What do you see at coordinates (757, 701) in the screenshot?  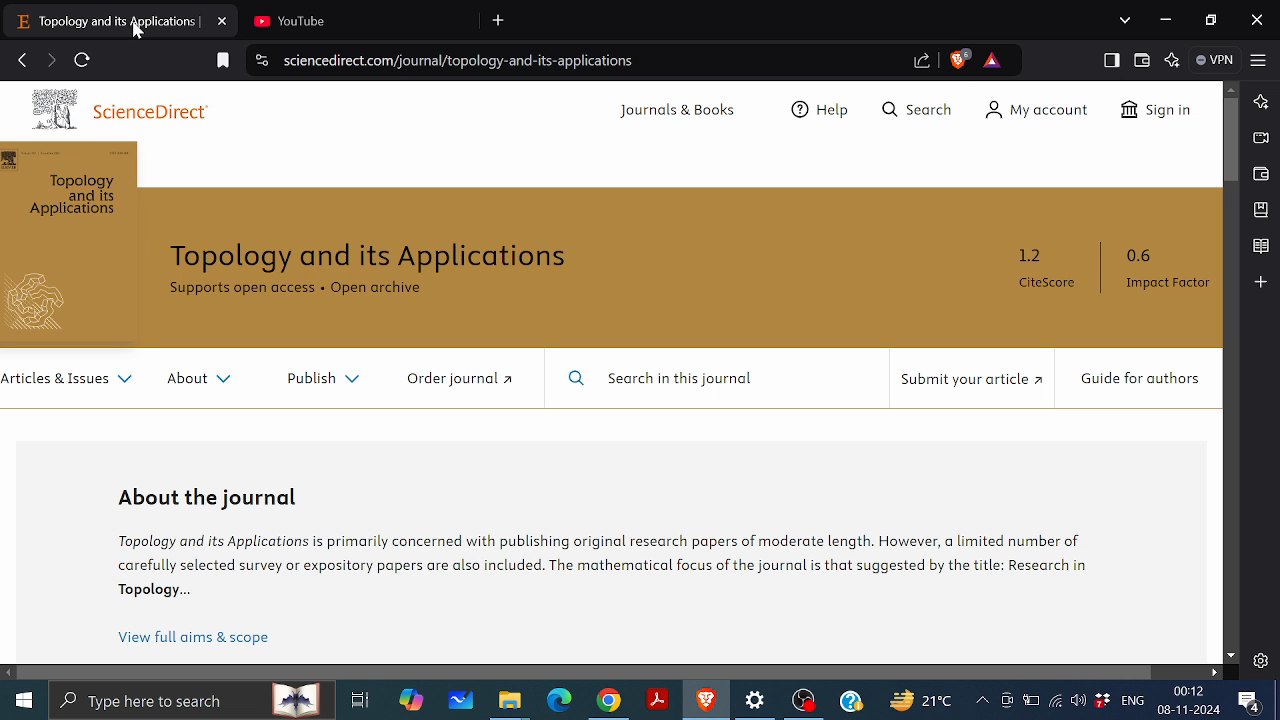 I see `Settings` at bounding box center [757, 701].